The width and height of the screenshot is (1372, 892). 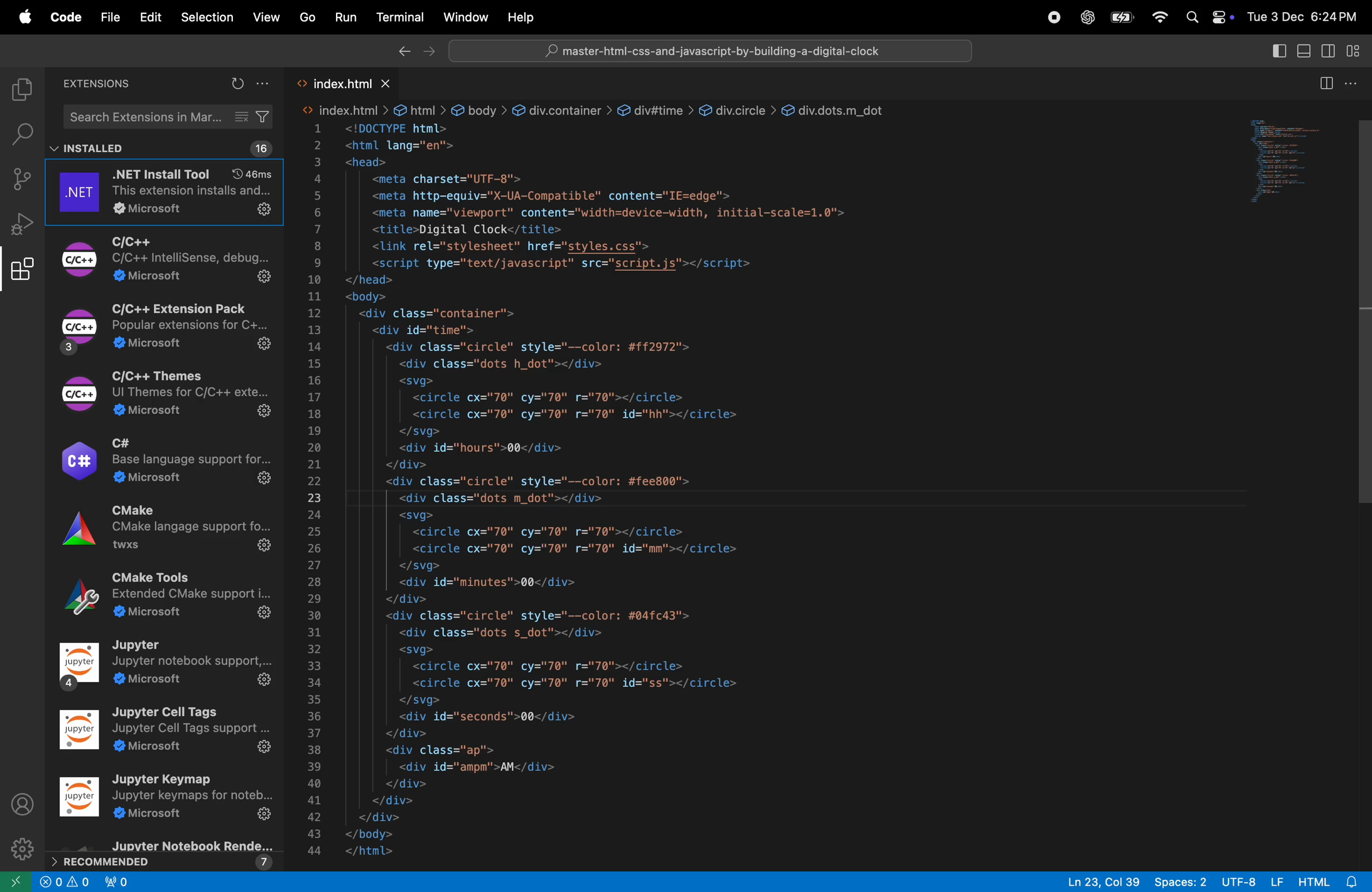 What do you see at coordinates (18, 848) in the screenshot?
I see `setting` at bounding box center [18, 848].